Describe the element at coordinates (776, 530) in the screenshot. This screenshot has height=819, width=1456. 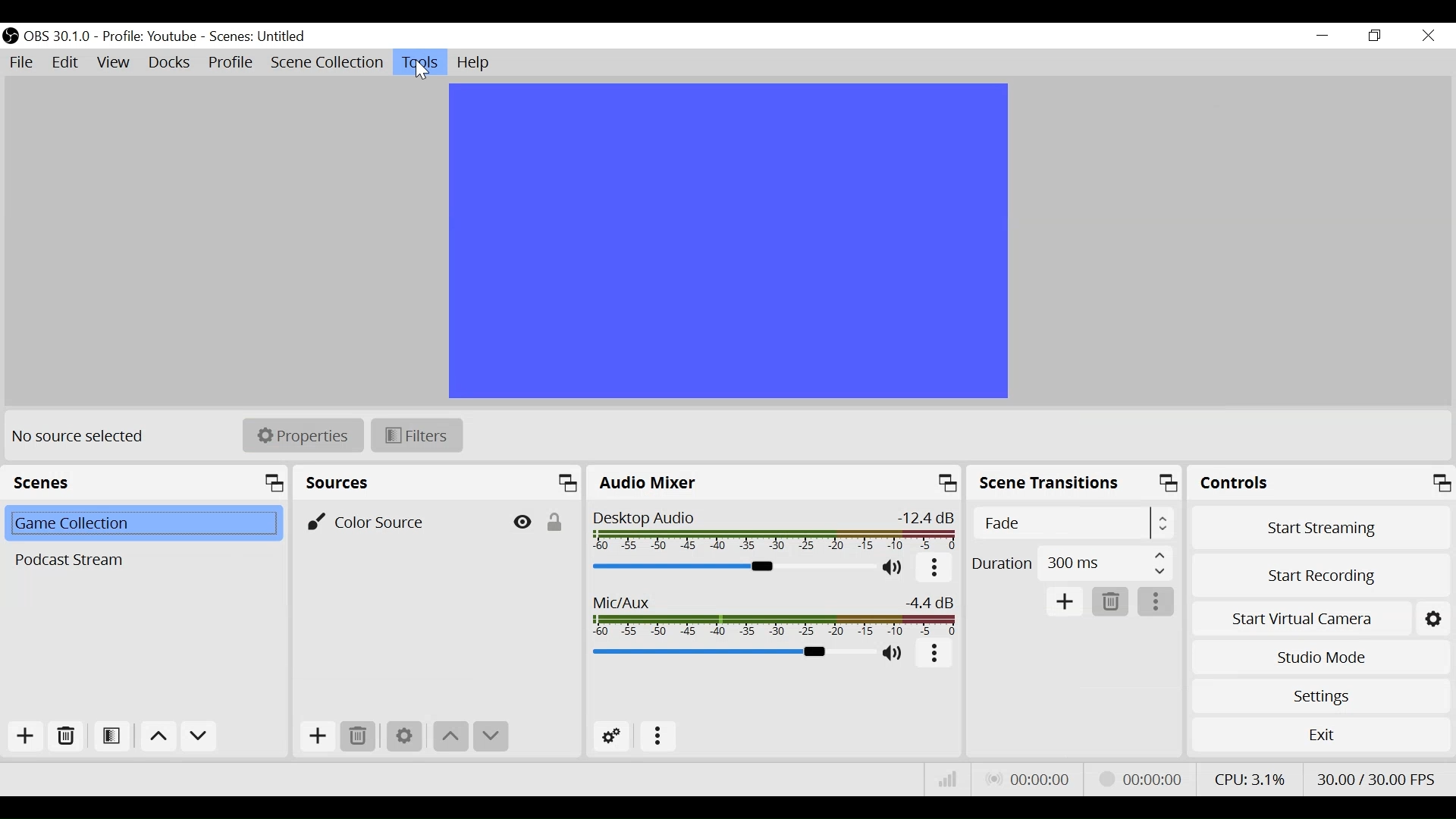
I see `Desktop Audio` at that location.